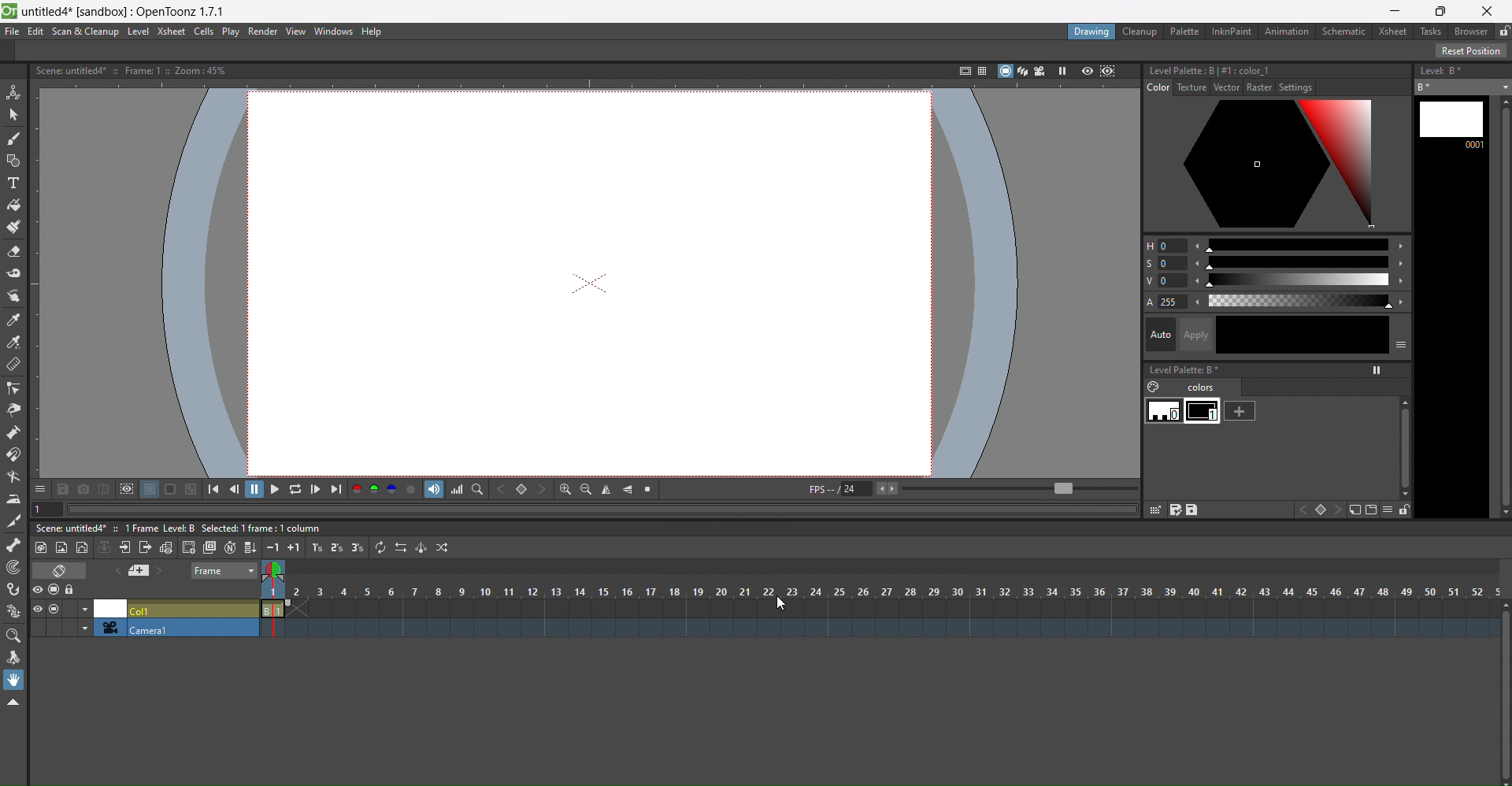  Describe the element at coordinates (1141, 32) in the screenshot. I see `cleanup` at that location.